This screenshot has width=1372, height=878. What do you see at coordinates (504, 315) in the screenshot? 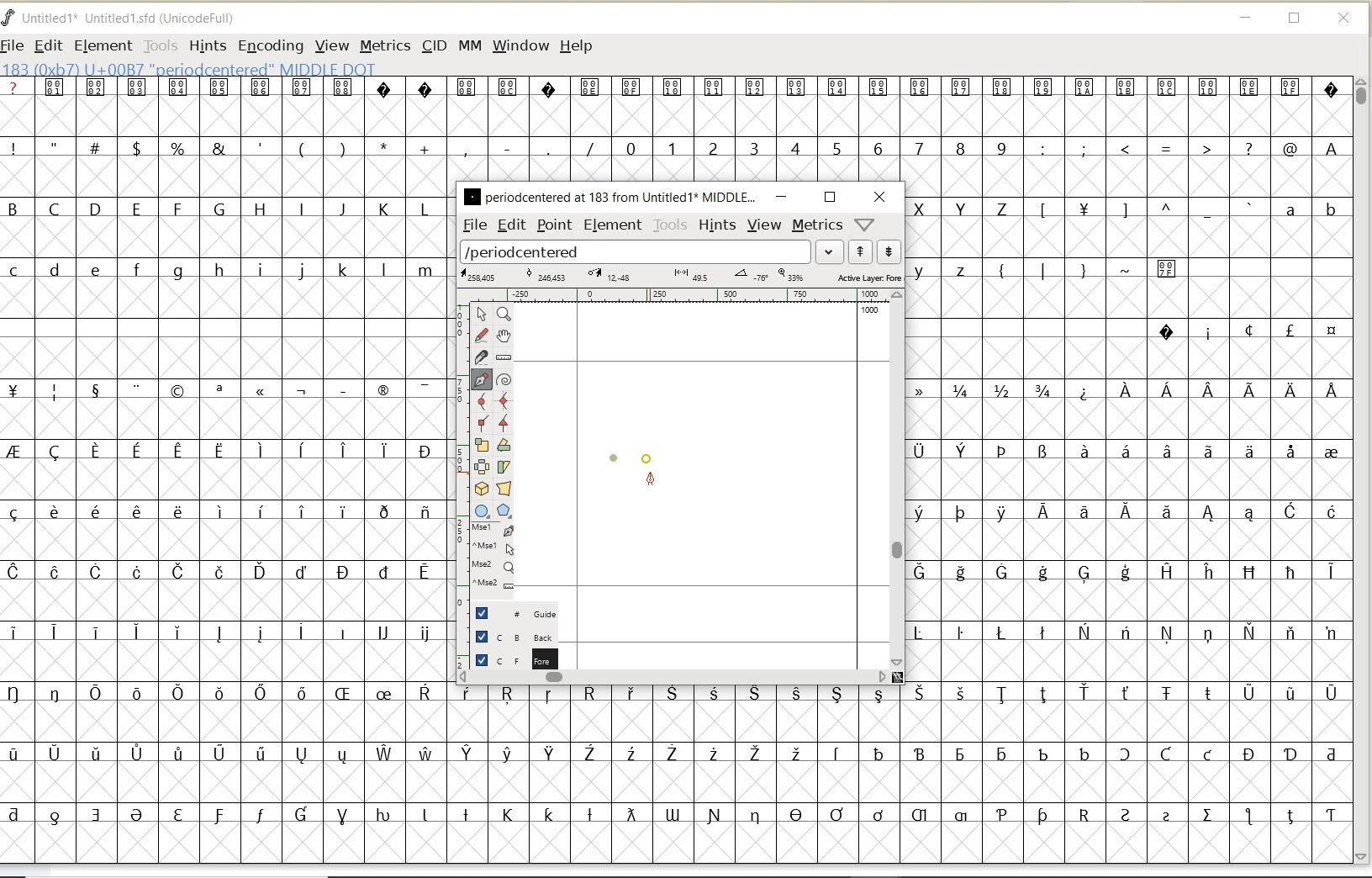
I see `Magnify` at bounding box center [504, 315].